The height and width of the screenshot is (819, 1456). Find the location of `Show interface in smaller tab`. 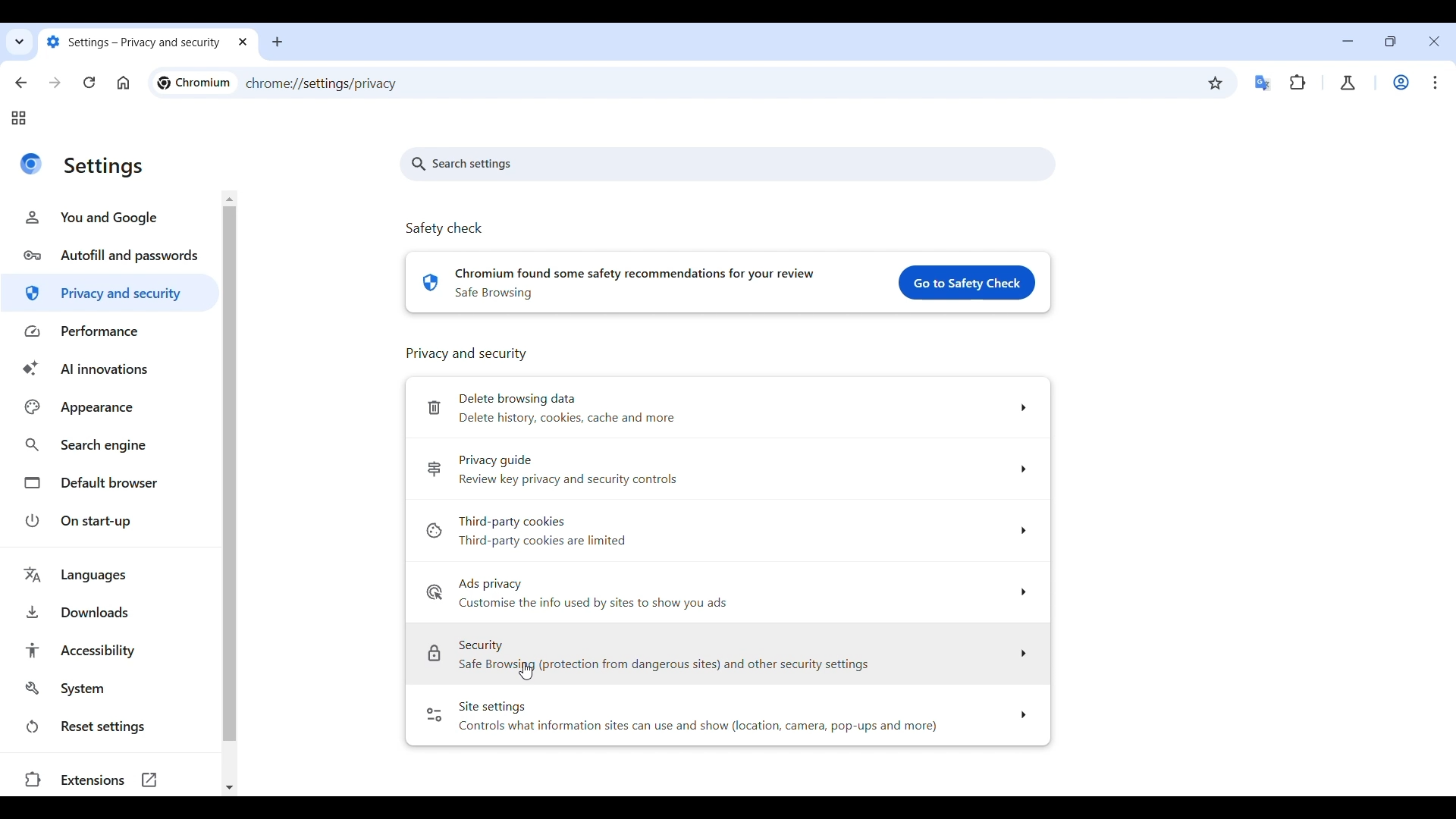

Show interface in smaller tab is located at coordinates (1390, 41).